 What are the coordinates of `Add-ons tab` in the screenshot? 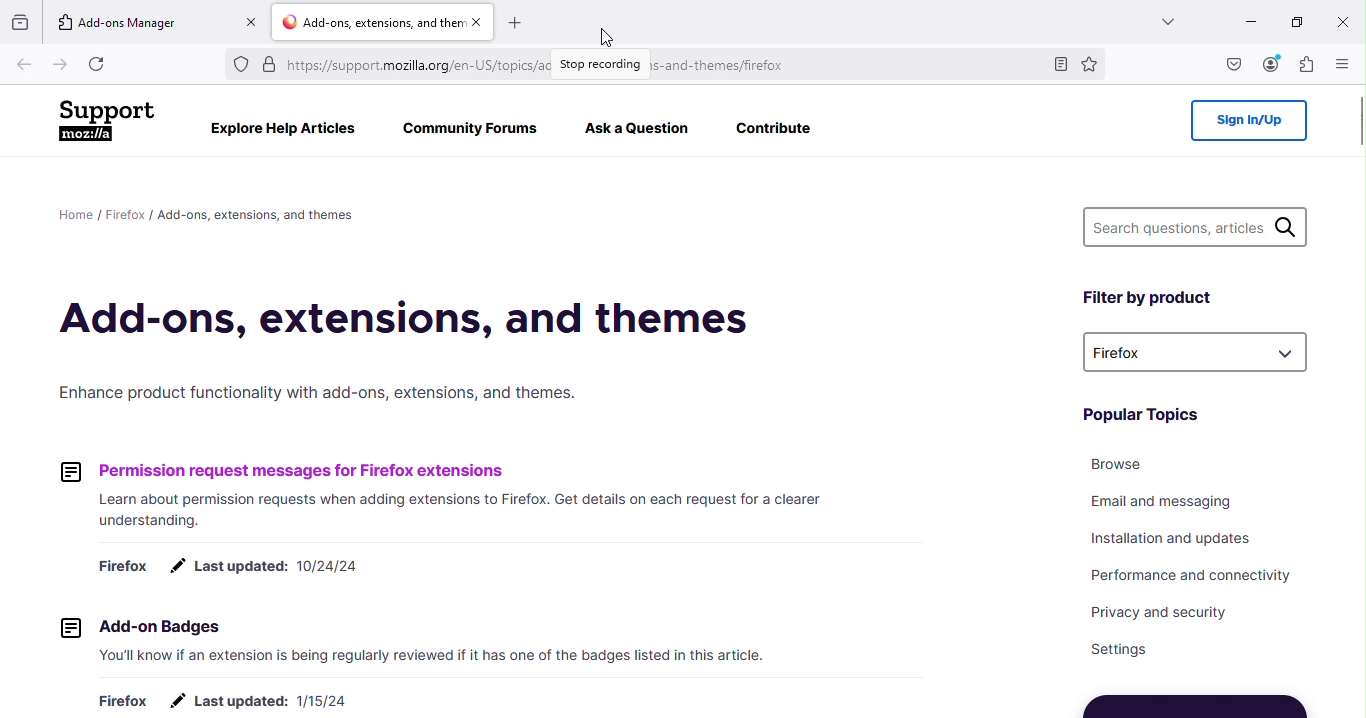 It's located at (371, 23).